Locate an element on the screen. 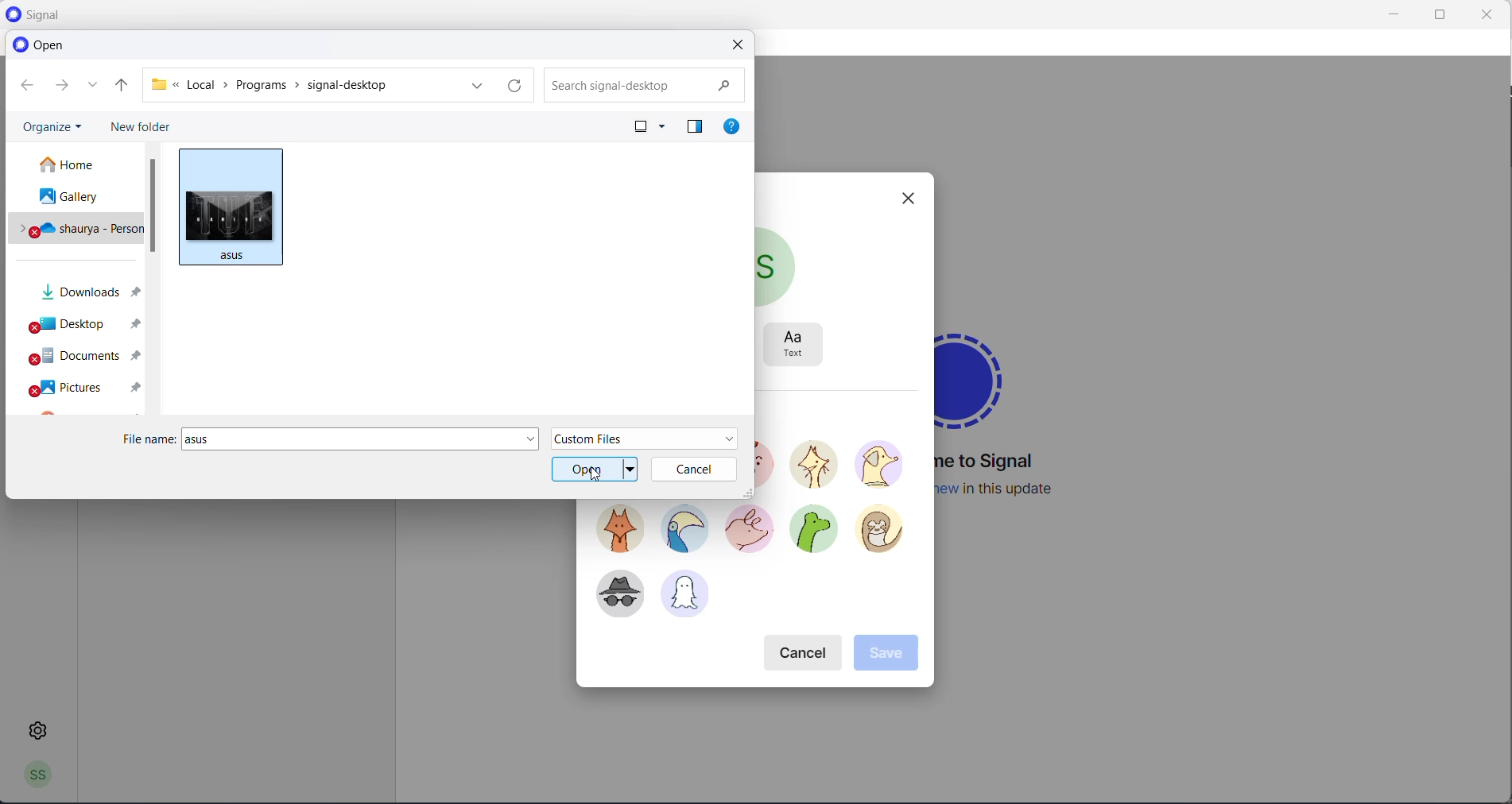 The image size is (1512, 804). scrollbar is located at coordinates (157, 208).